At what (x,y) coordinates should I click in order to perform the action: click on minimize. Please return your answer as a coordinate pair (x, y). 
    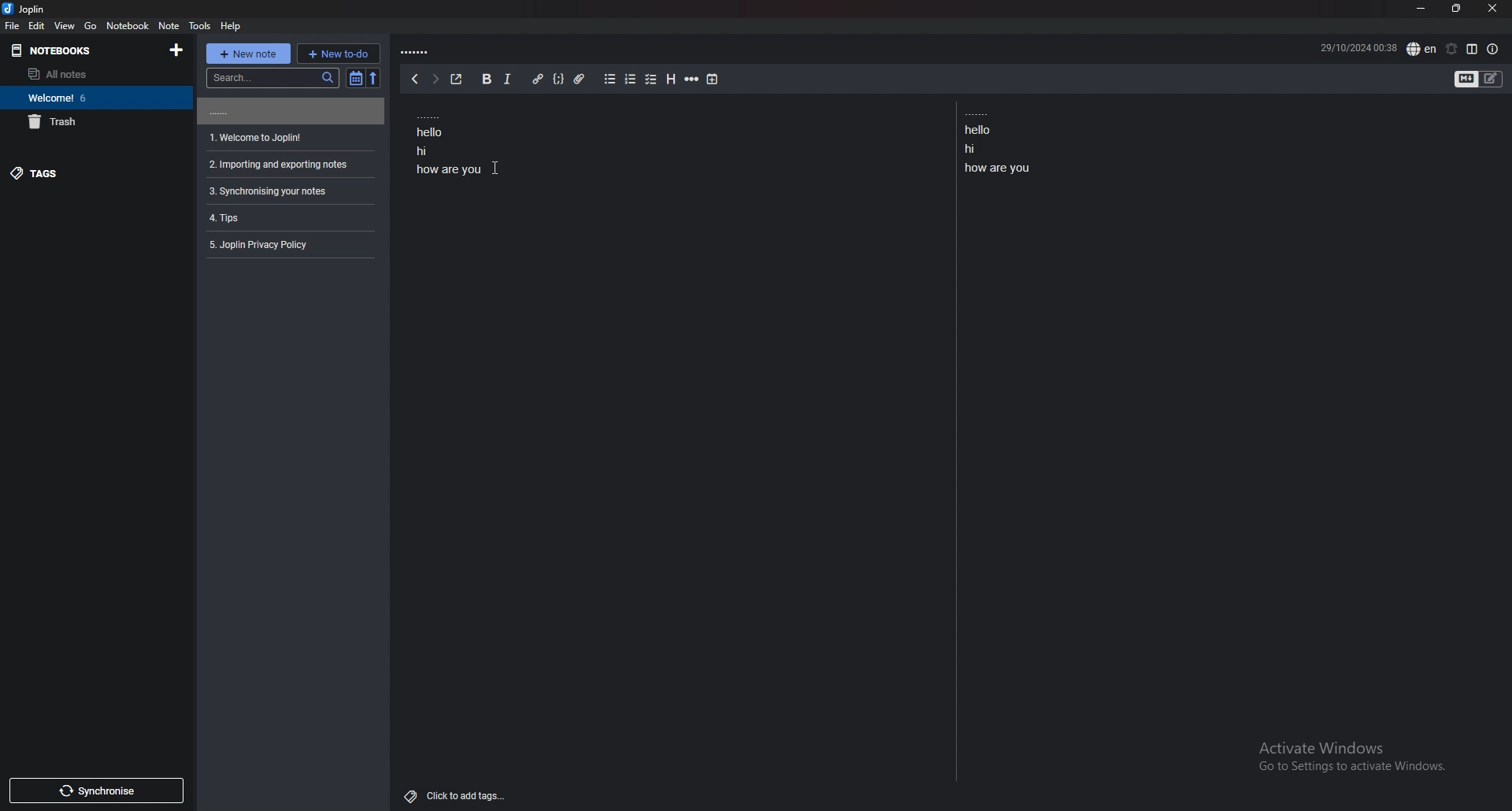
    Looking at the image, I should click on (1422, 9).